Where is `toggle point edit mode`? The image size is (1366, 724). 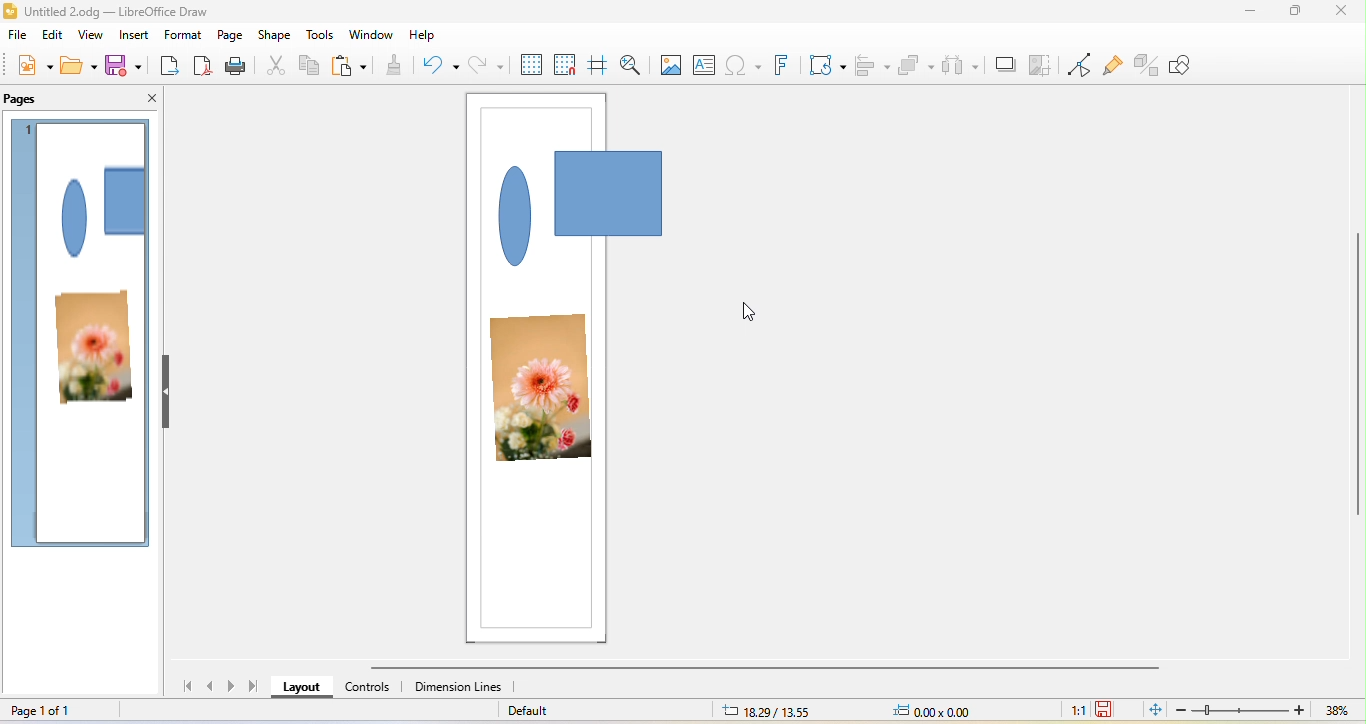 toggle point edit mode is located at coordinates (1080, 63).